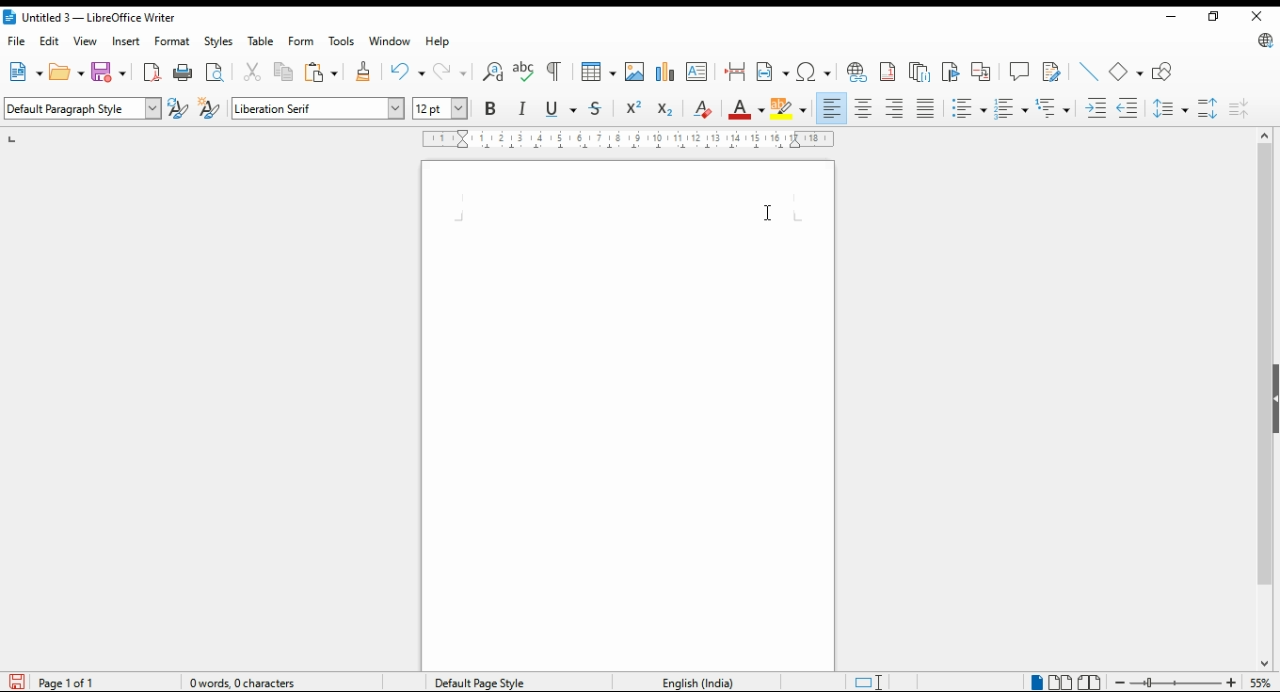 This screenshot has height=692, width=1280. I want to click on ruler, so click(629, 139).